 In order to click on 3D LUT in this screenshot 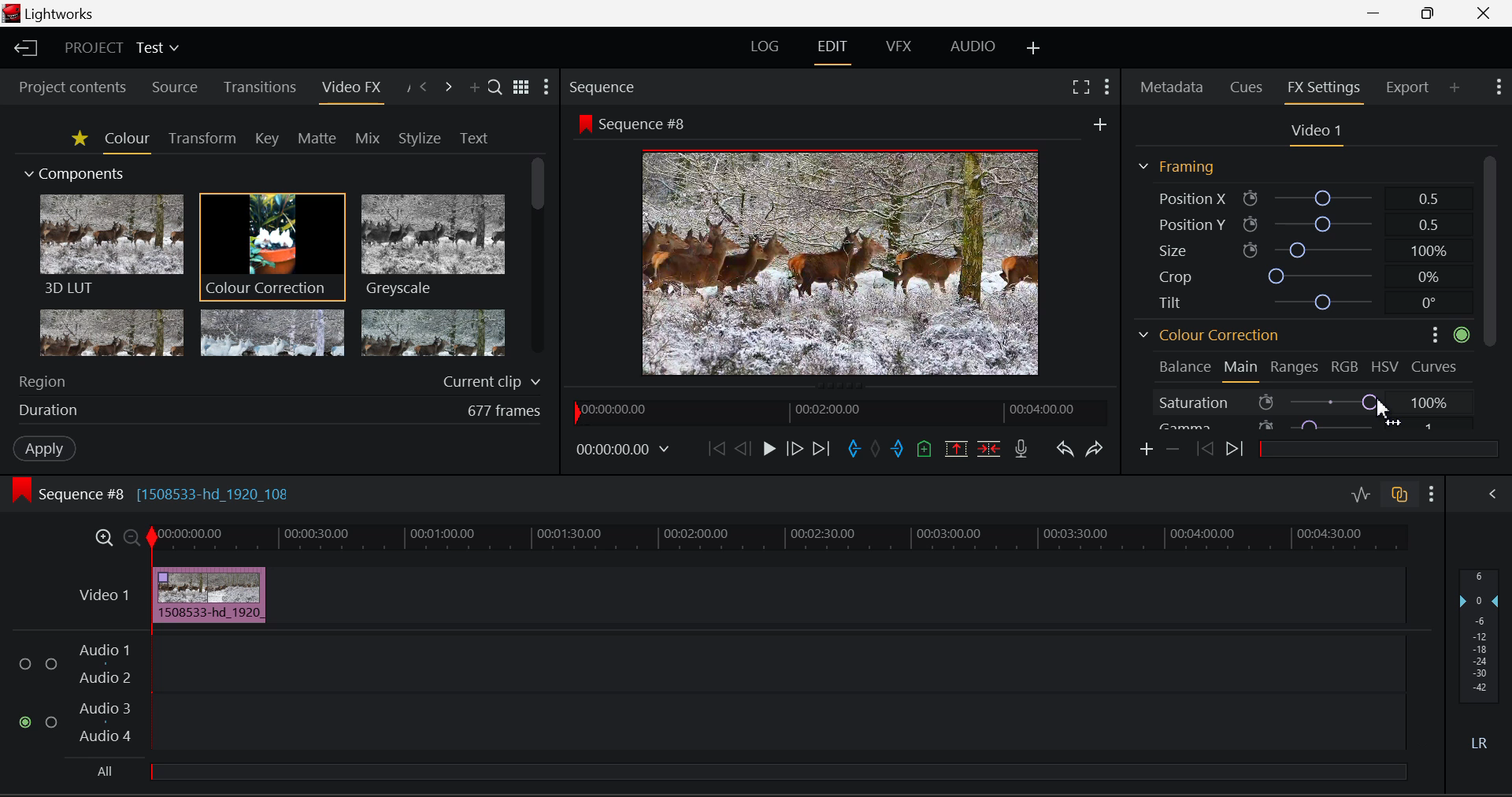, I will do `click(110, 243)`.